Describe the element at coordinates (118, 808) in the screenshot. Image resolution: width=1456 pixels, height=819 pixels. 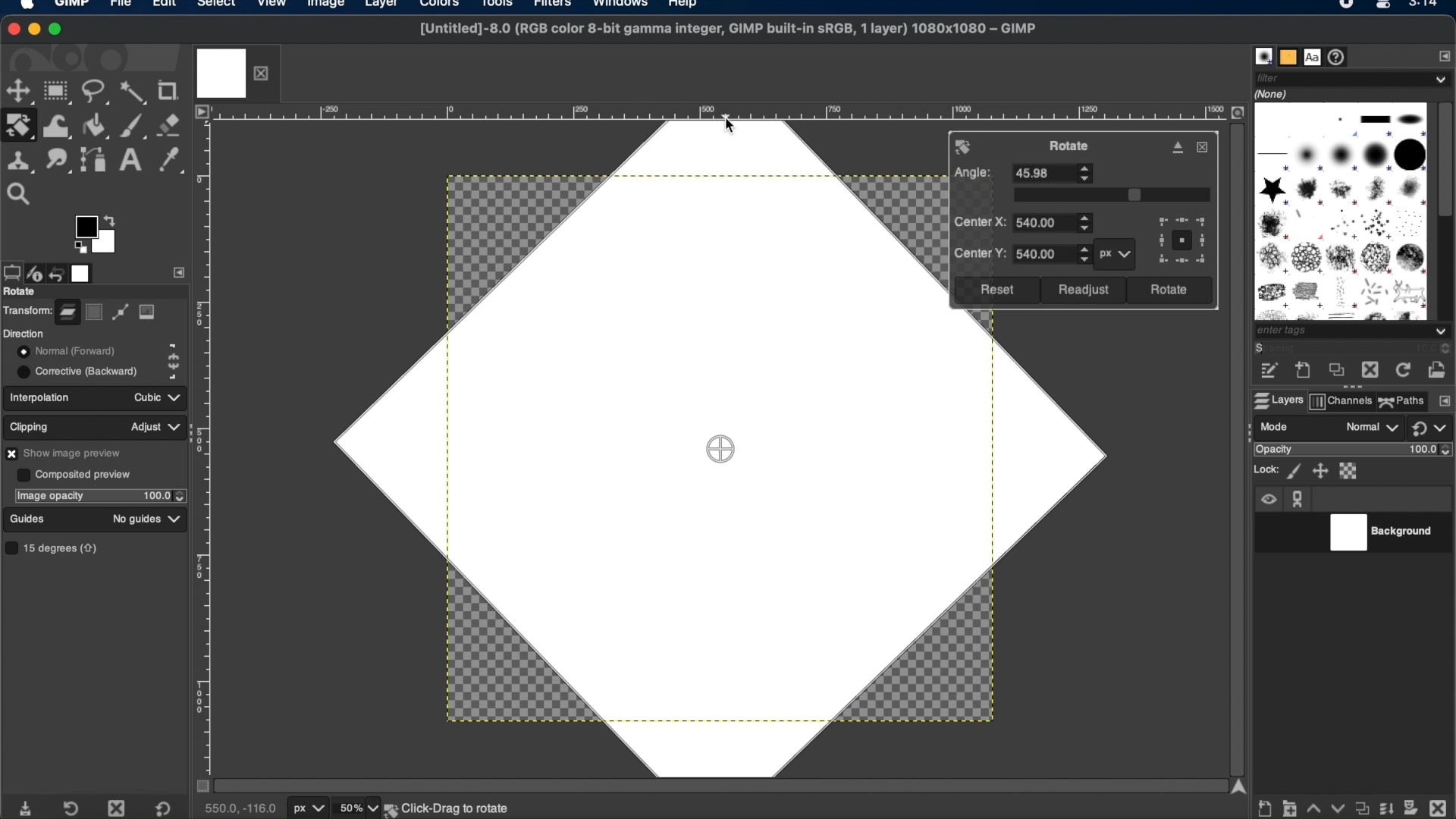
I see `delete tool preset` at that location.